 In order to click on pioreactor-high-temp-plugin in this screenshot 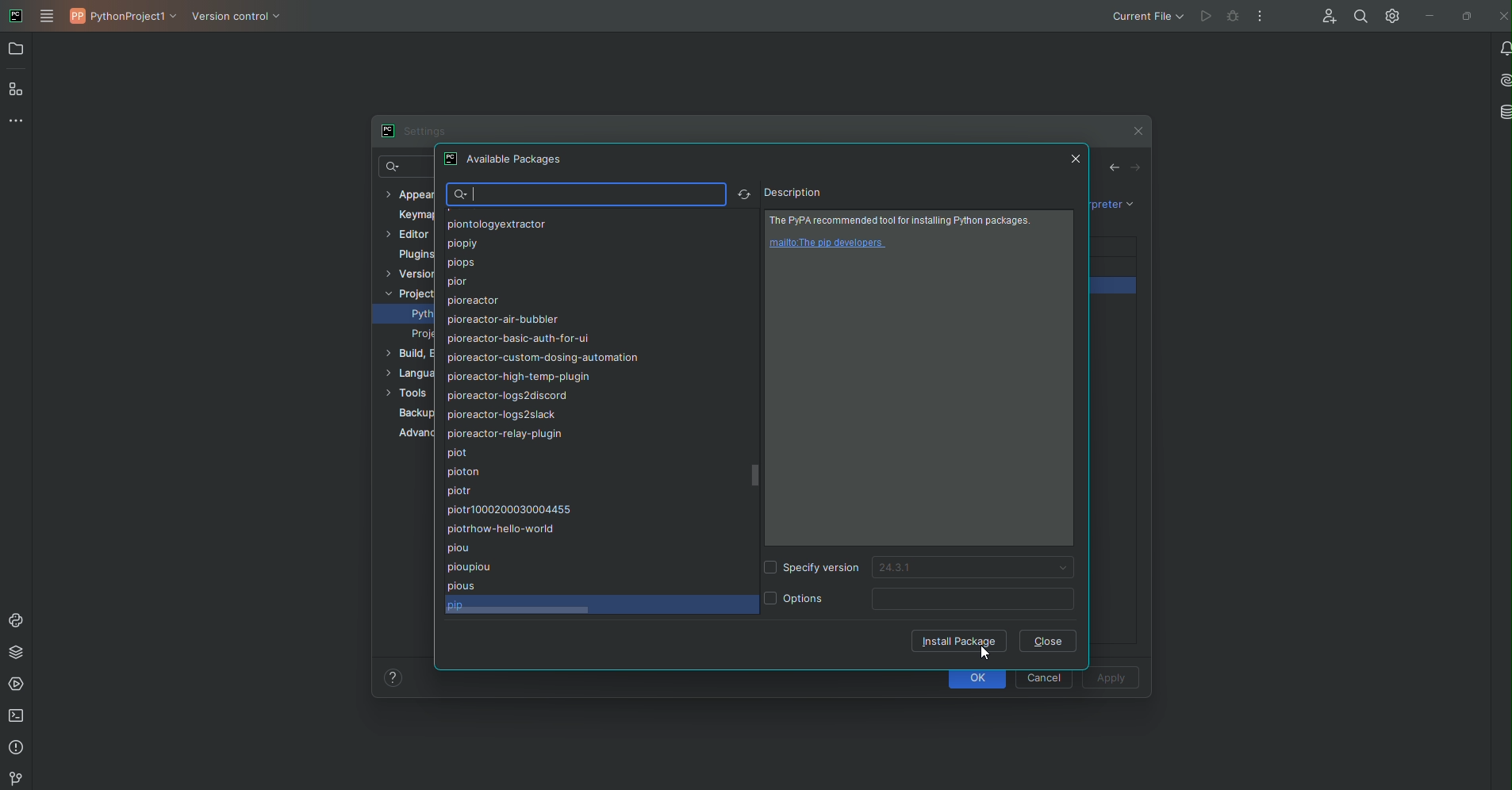, I will do `click(520, 376)`.